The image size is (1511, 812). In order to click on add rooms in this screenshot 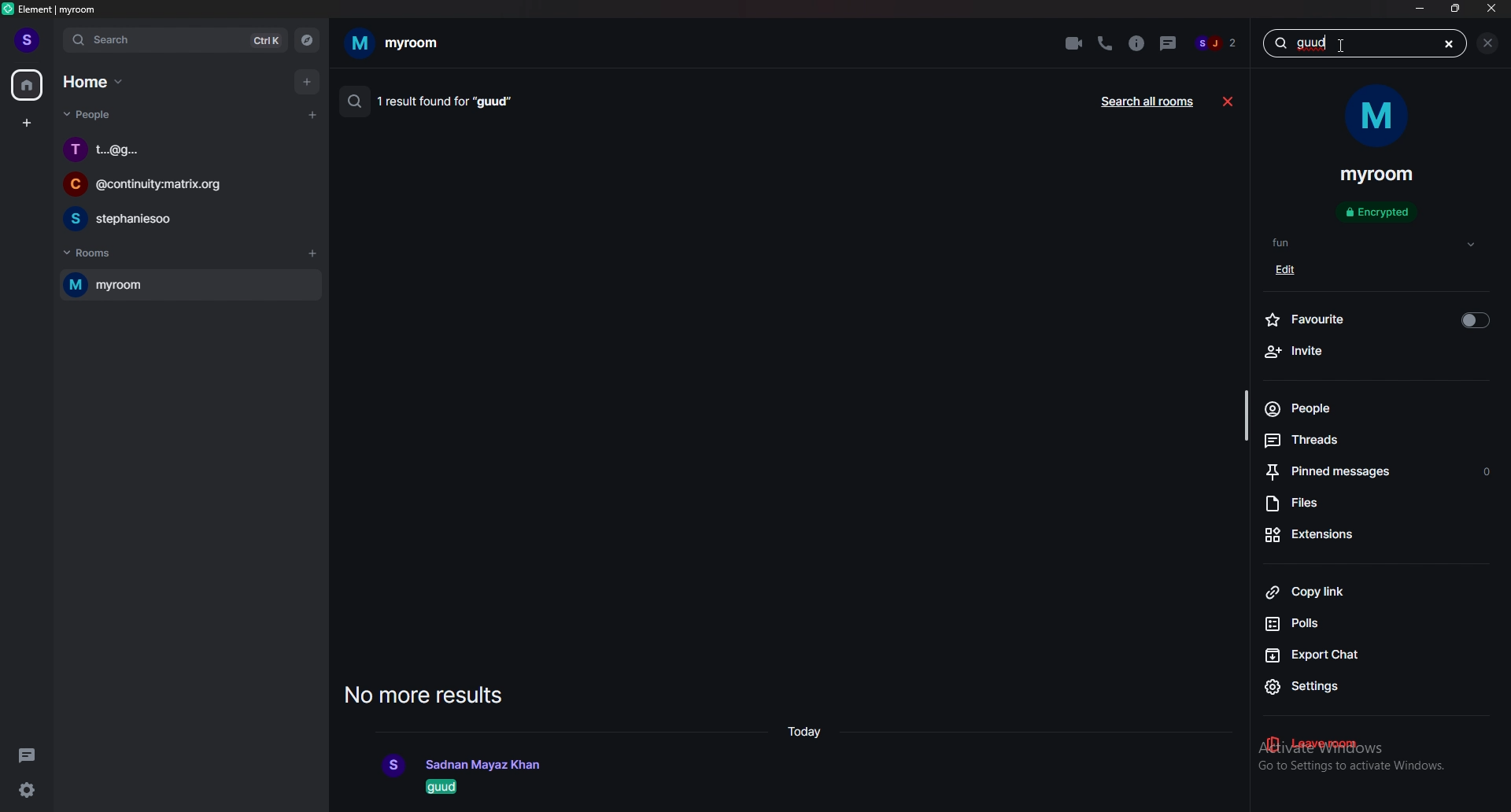, I will do `click(312, 256)`.